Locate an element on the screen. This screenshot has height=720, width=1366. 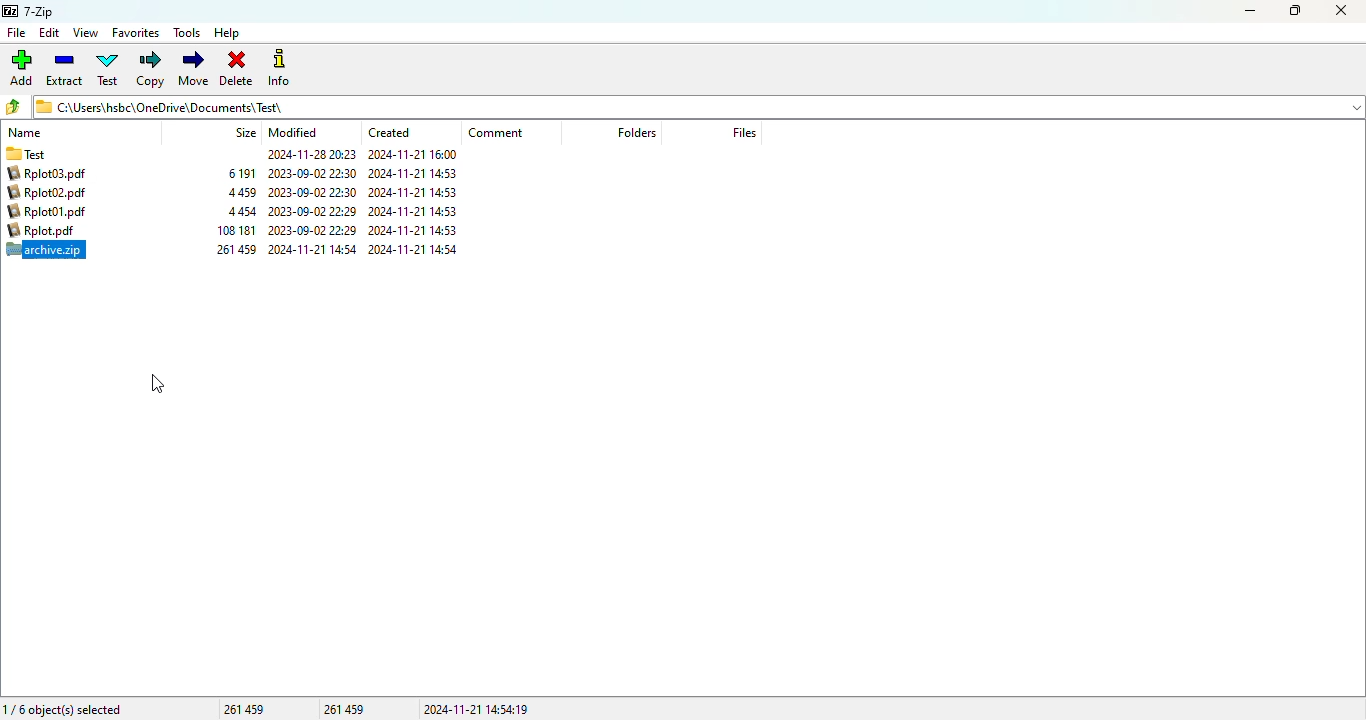
7-Zip is located at coordinates (28, 12).